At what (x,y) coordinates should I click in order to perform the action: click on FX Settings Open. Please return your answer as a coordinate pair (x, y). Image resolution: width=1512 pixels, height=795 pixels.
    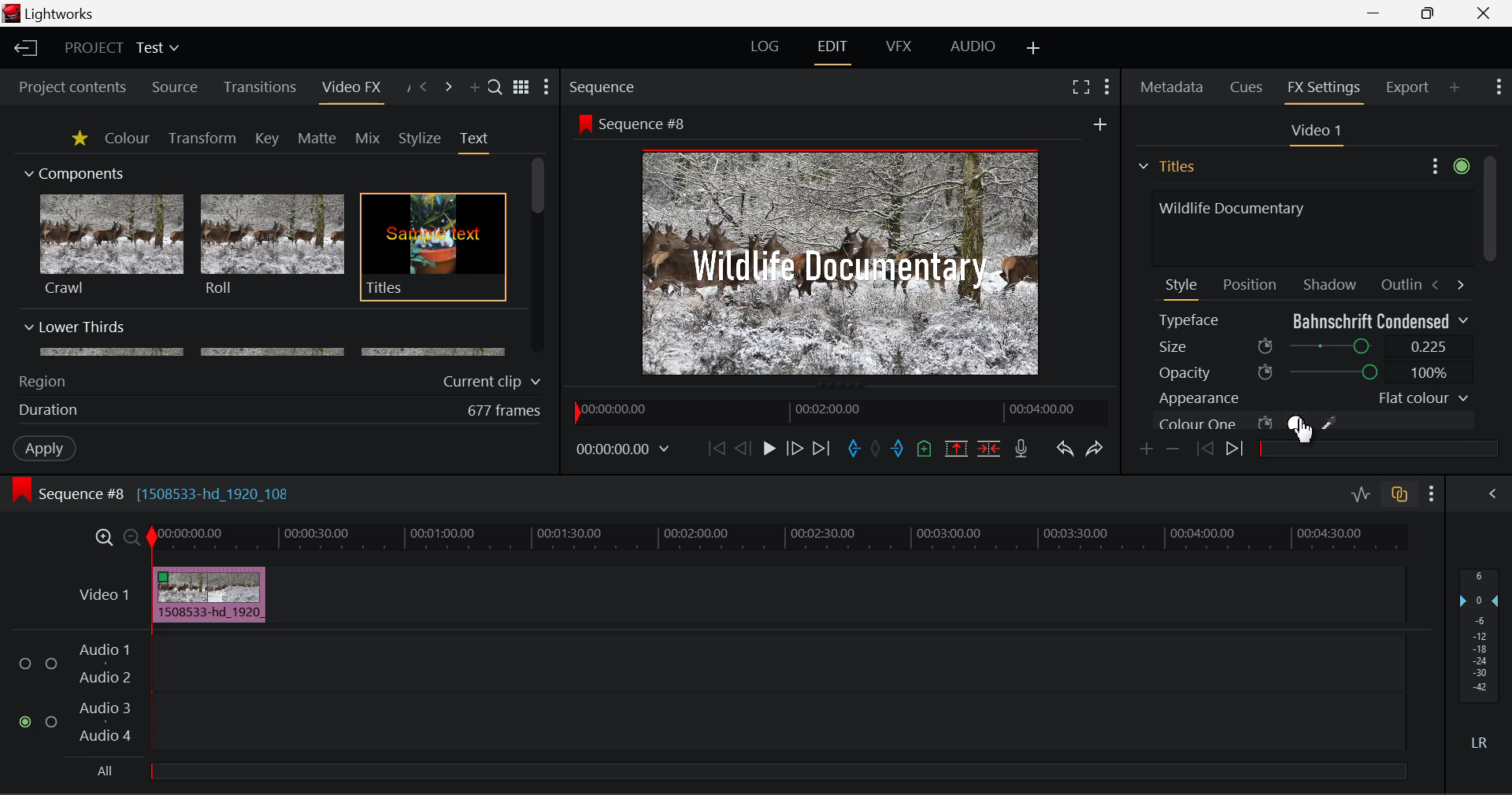
    Looking at the image, I should click on (1326, 90).